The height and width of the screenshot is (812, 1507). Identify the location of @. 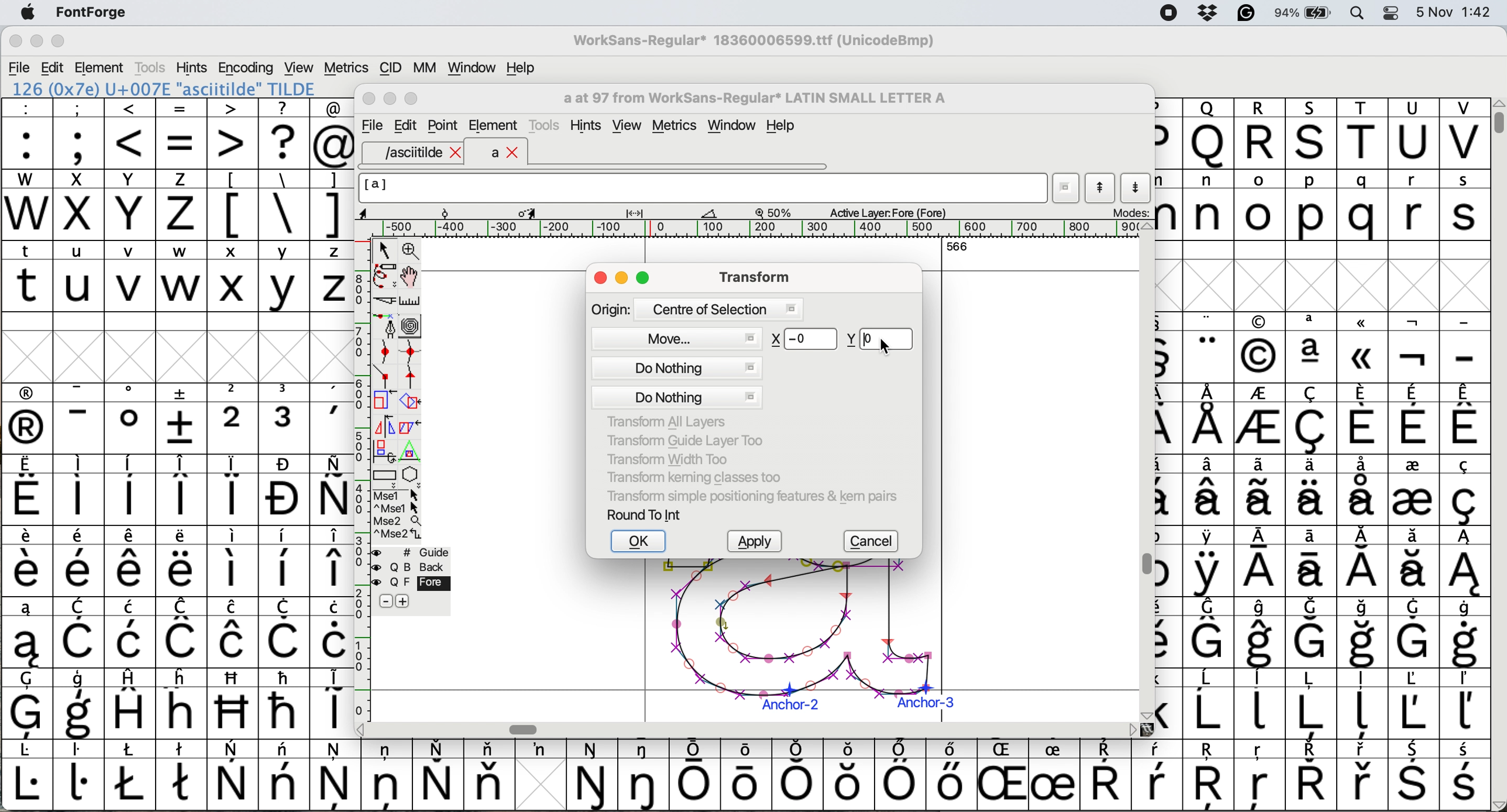
(333, 134).